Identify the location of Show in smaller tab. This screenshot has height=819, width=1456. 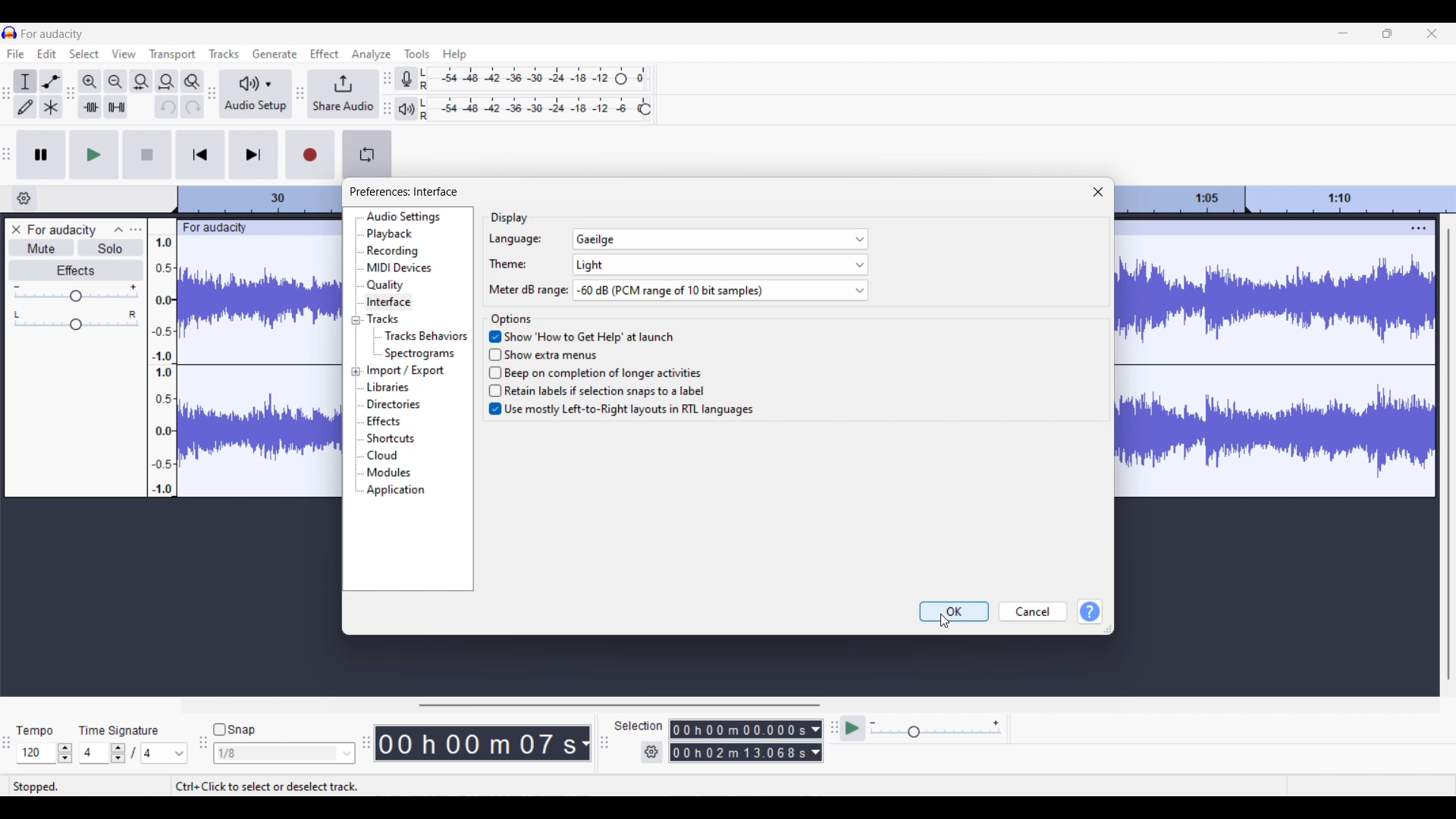
(1387, 33).